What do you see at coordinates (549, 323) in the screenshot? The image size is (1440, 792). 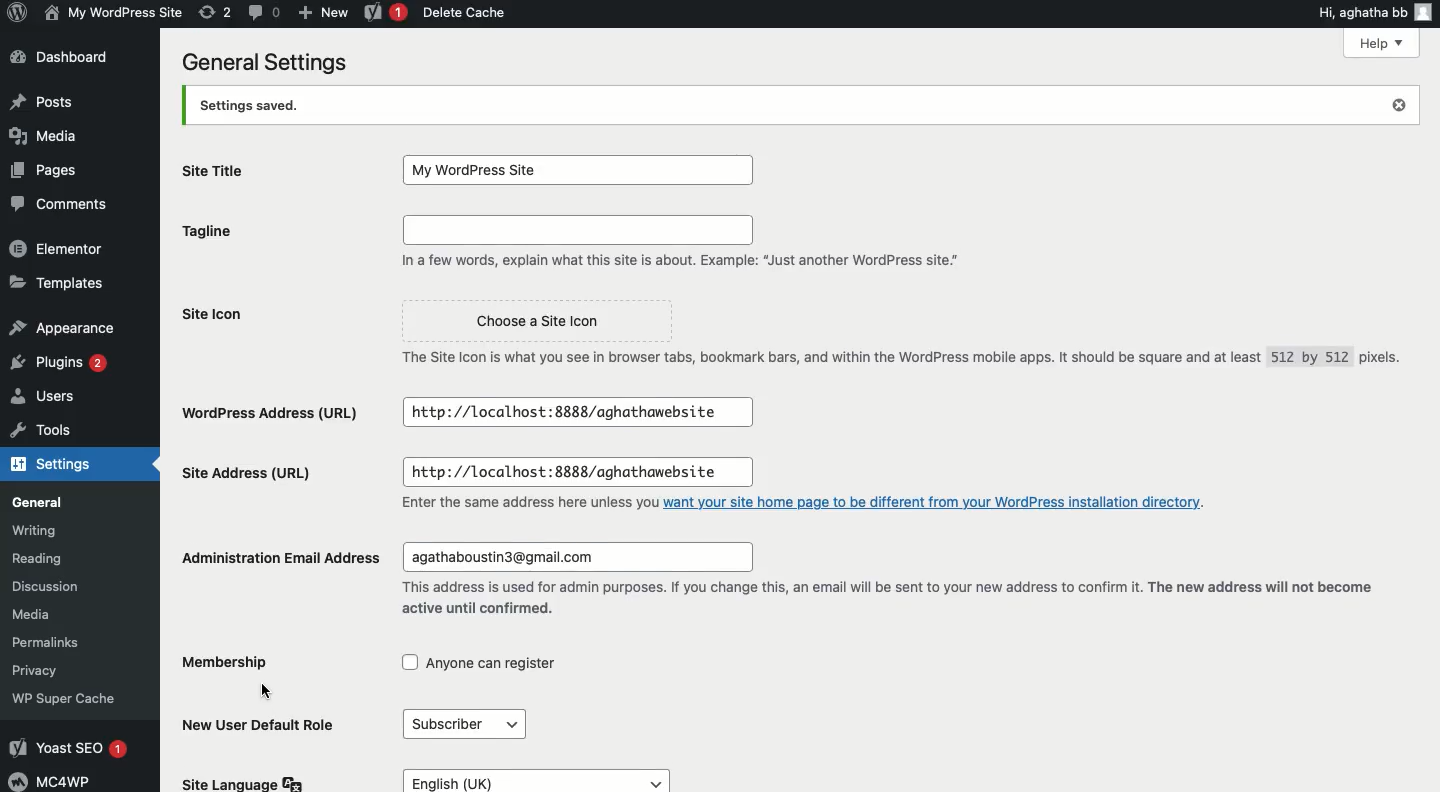 I see `Choose a Site Icon` at bounding box center [549, 323].